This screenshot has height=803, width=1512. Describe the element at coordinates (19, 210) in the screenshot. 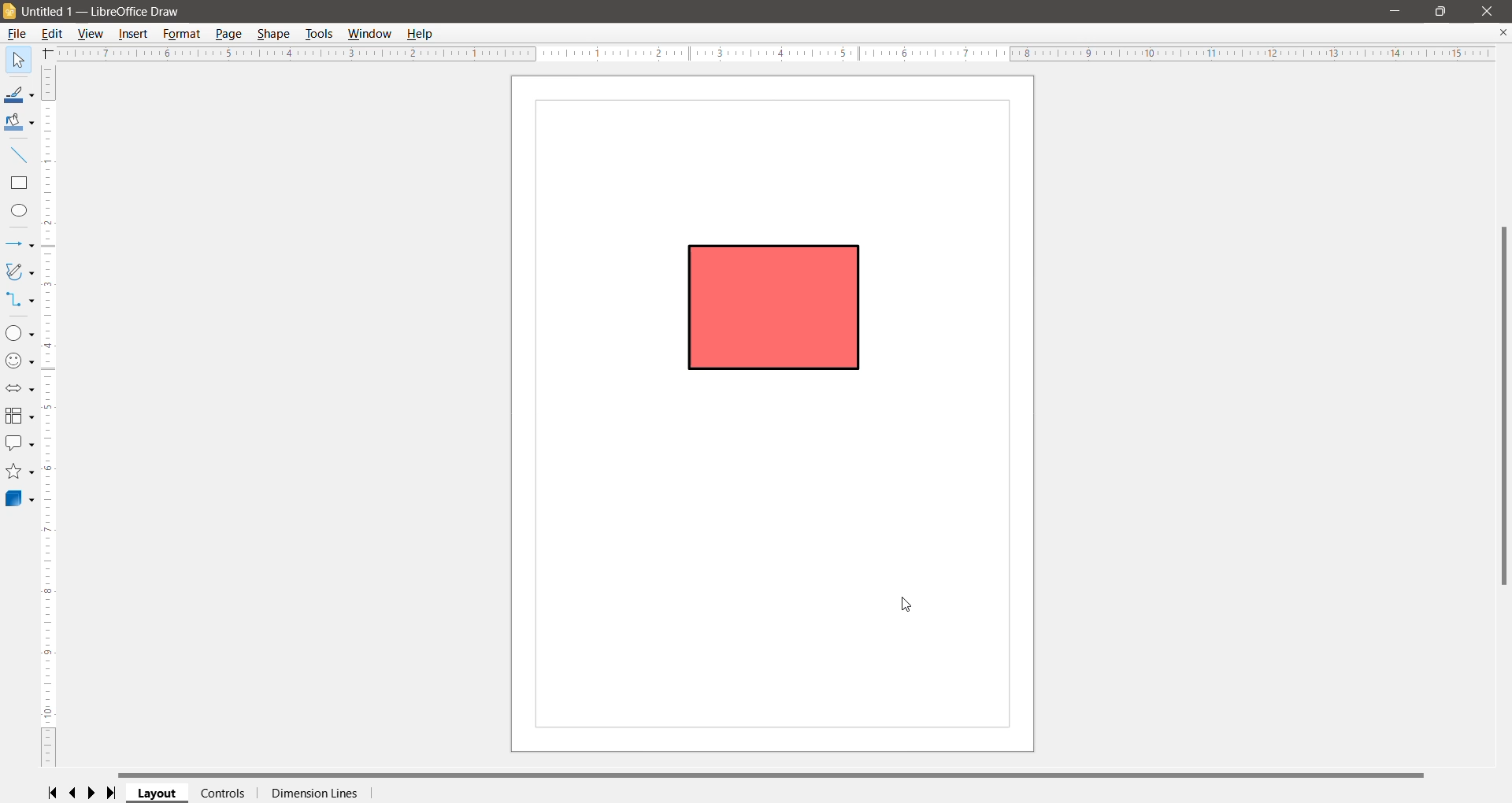

I see `Ellipse` at that location.